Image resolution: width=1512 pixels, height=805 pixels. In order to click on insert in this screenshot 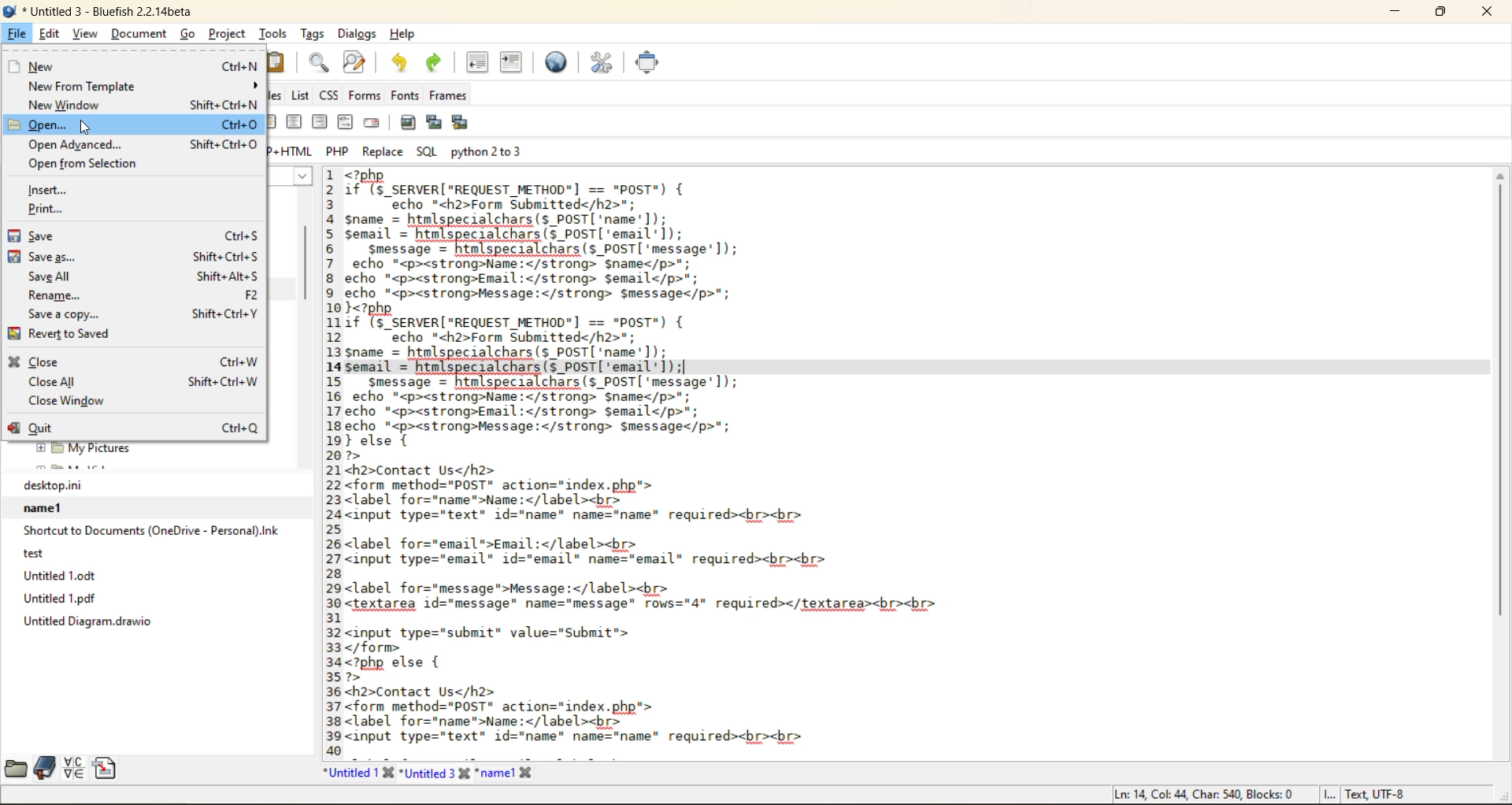, I will do `click(47, 188)`.